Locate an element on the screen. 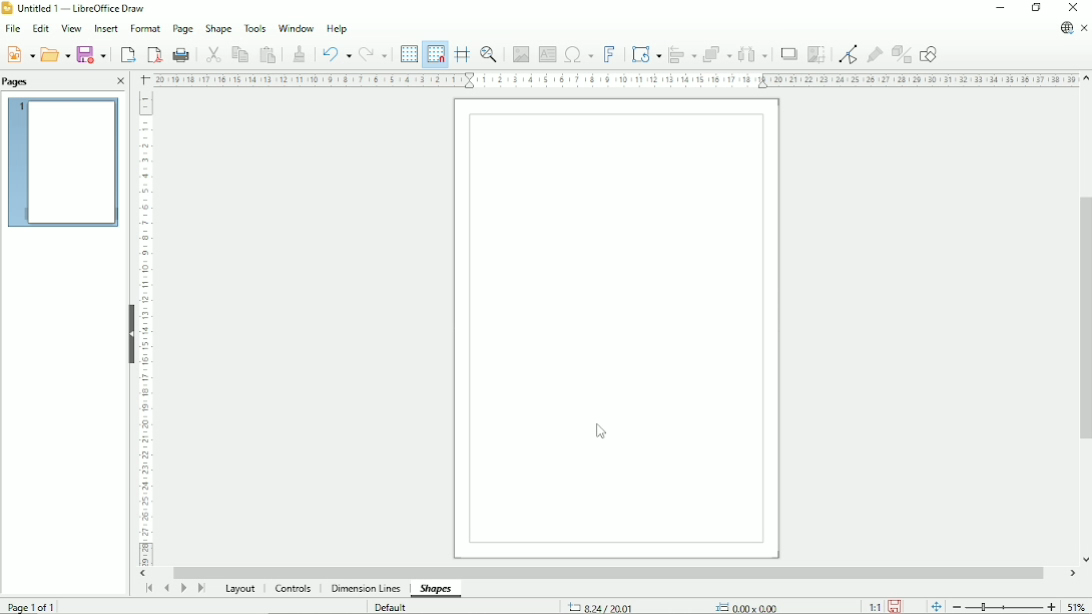 This screenshot has height=614, width=1092. Export is located at coordinates (126, 53).